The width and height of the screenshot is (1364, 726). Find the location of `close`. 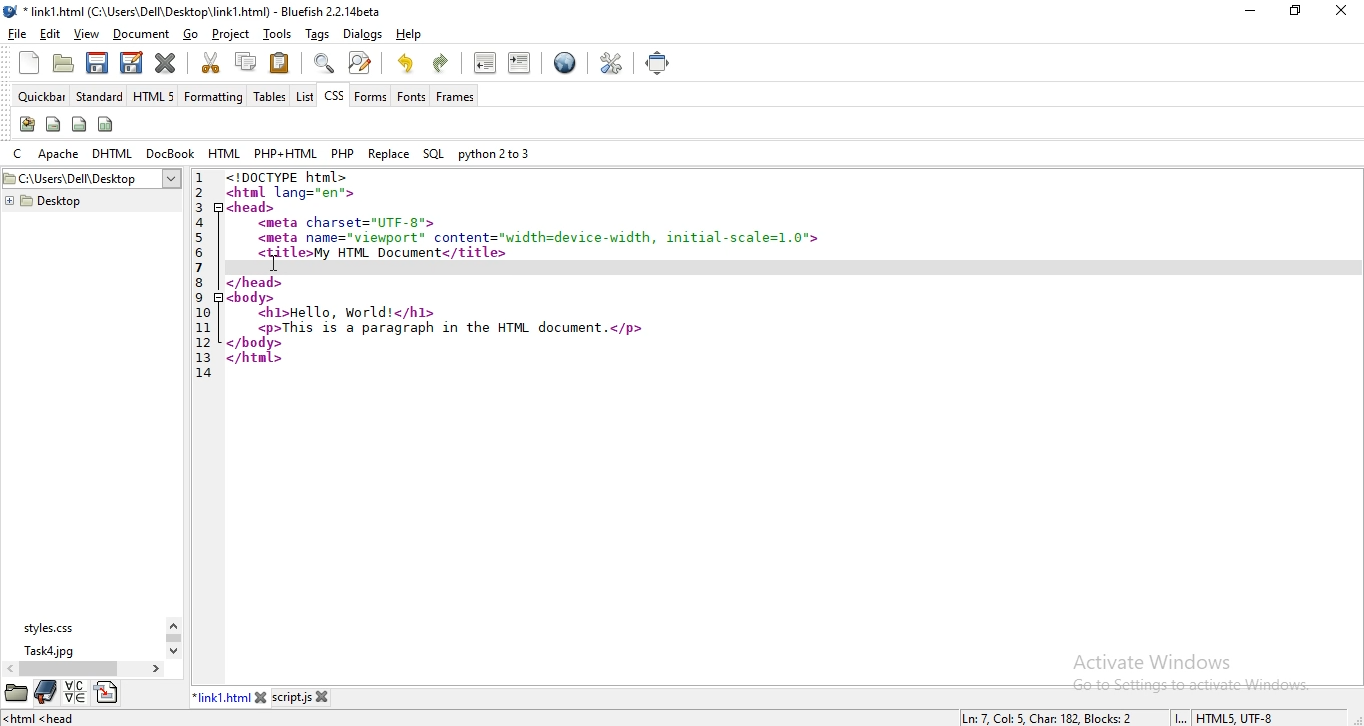

close is located at coordinates (324, 697).